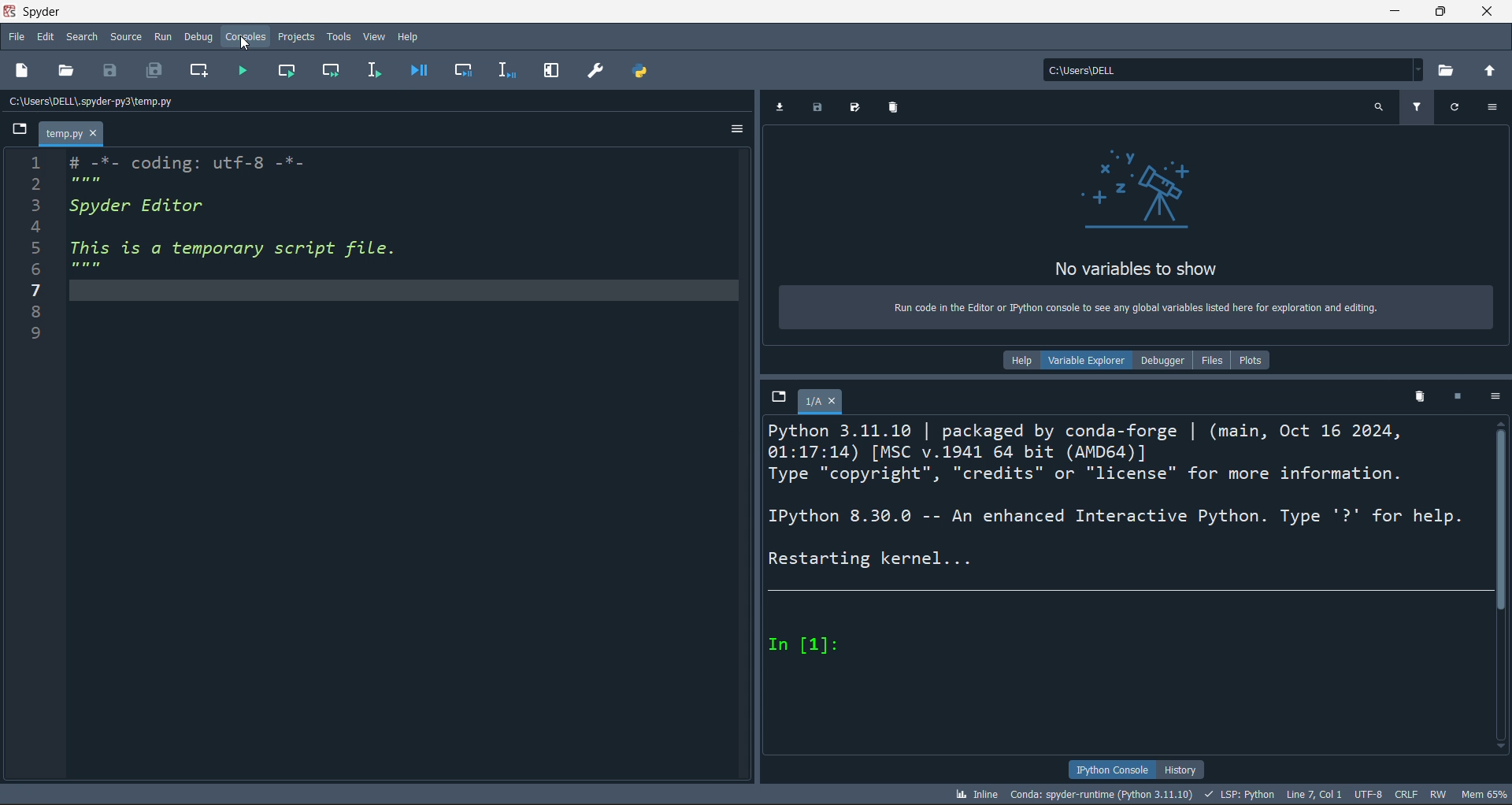 Image resolution: width=1512 pixels, height=805 pixels. I want to click on ipython console, so click(1108, 768).